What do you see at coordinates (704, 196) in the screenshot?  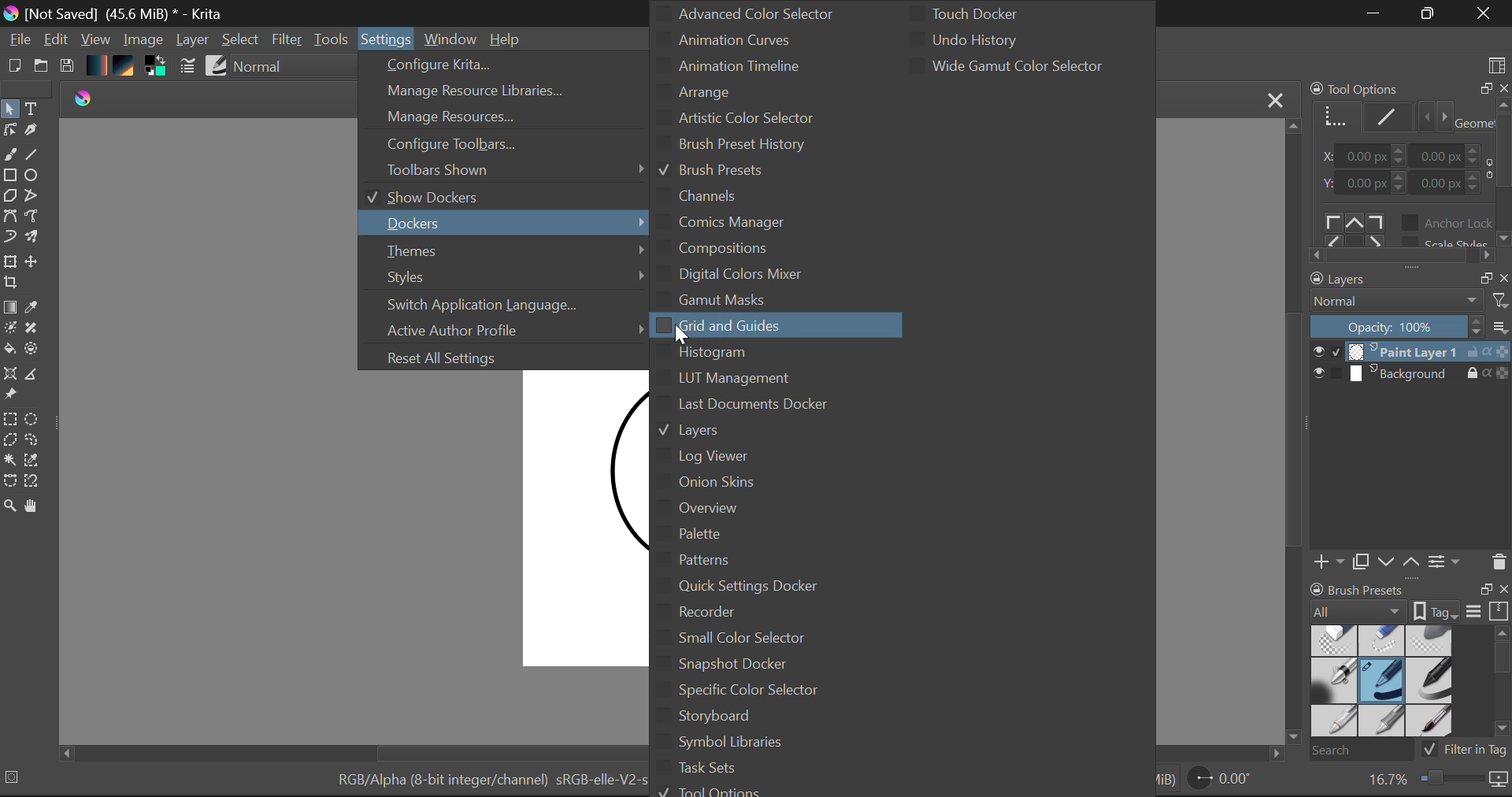 I see `Channels` at bounding box center [704, 196].